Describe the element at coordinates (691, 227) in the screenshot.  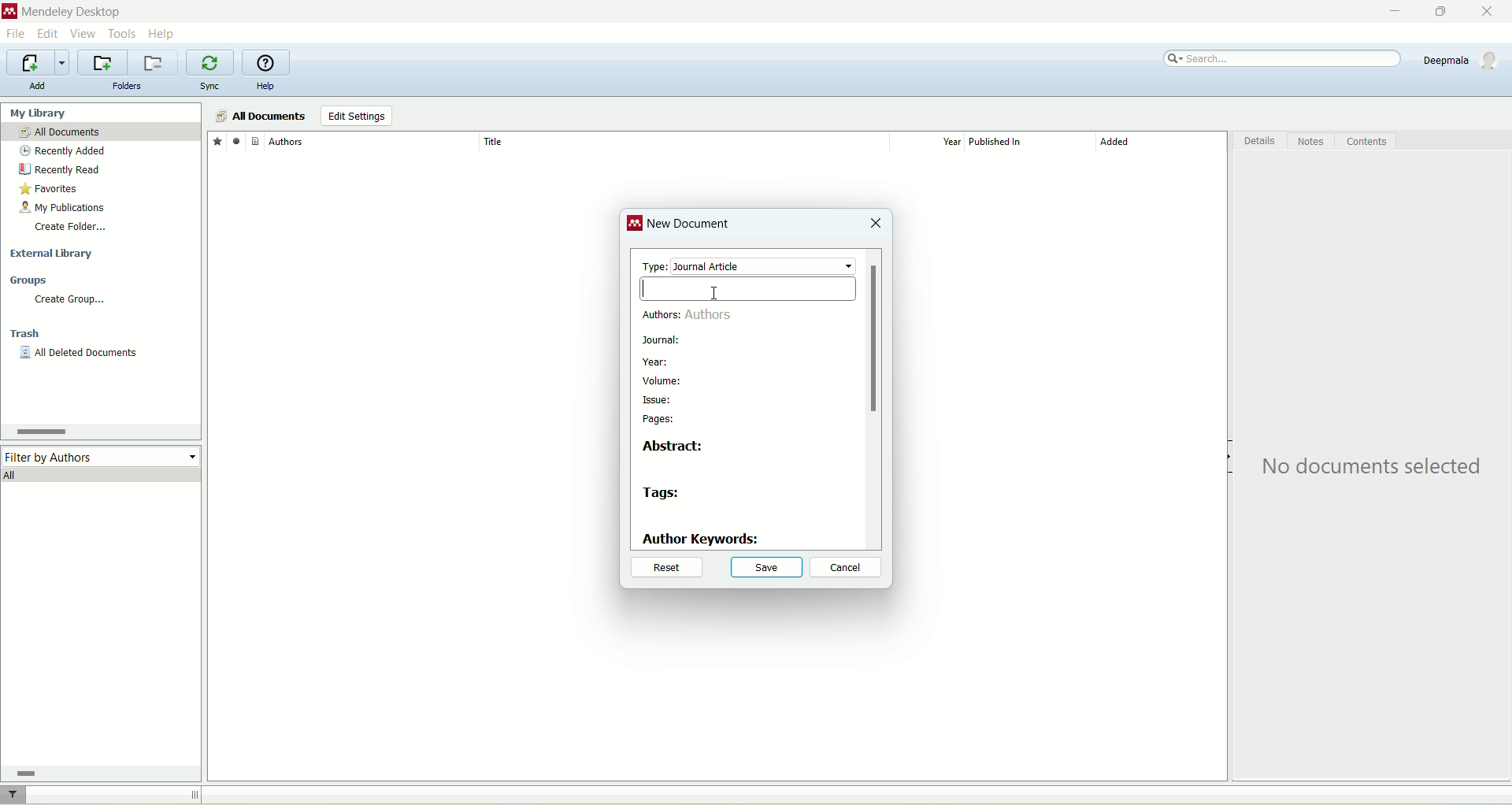
I see `new document` at that location.